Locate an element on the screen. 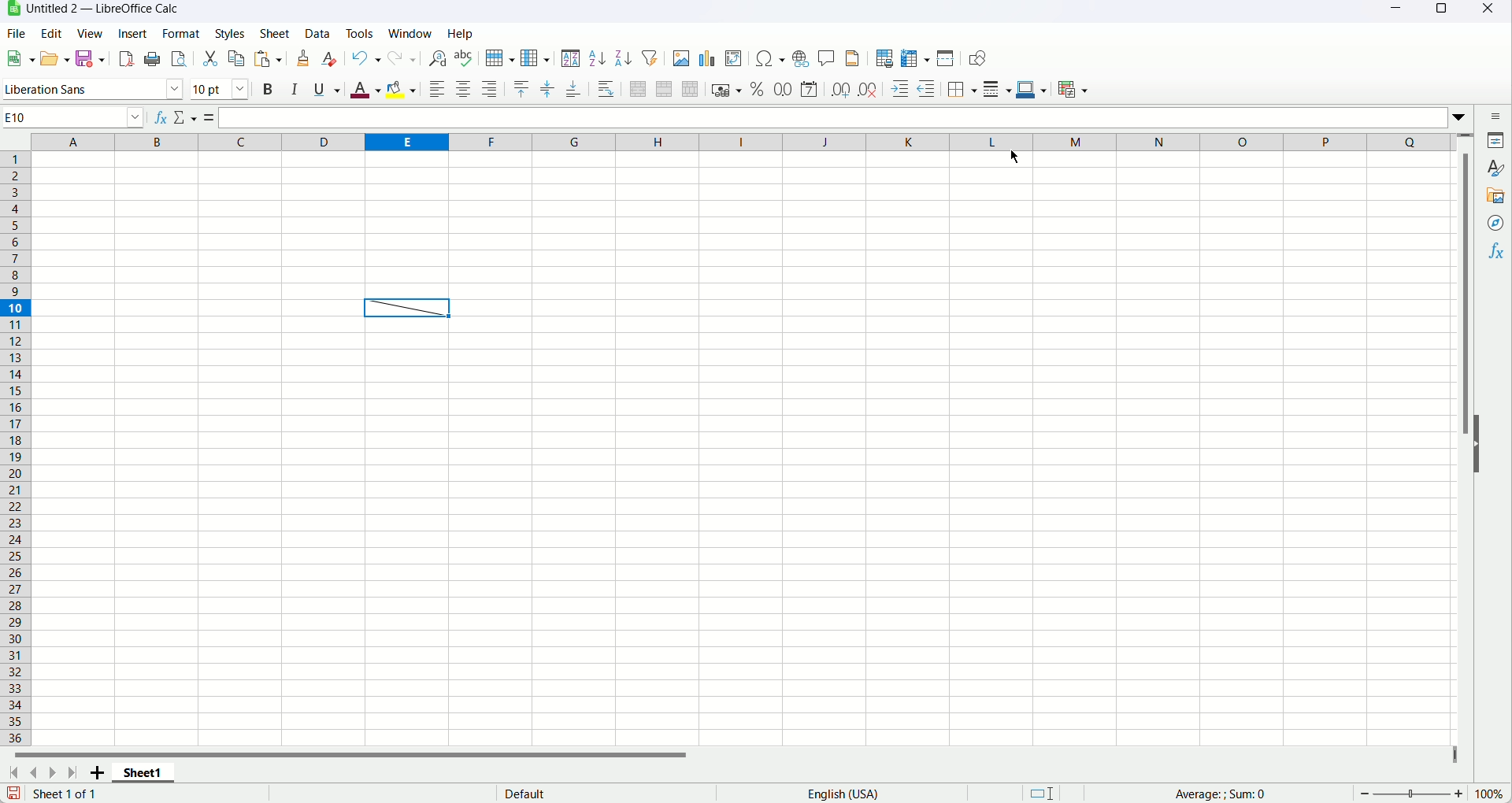 The width and height of the screenshot is (1512, 803). Minimize is located at coordinates (1395, 12).